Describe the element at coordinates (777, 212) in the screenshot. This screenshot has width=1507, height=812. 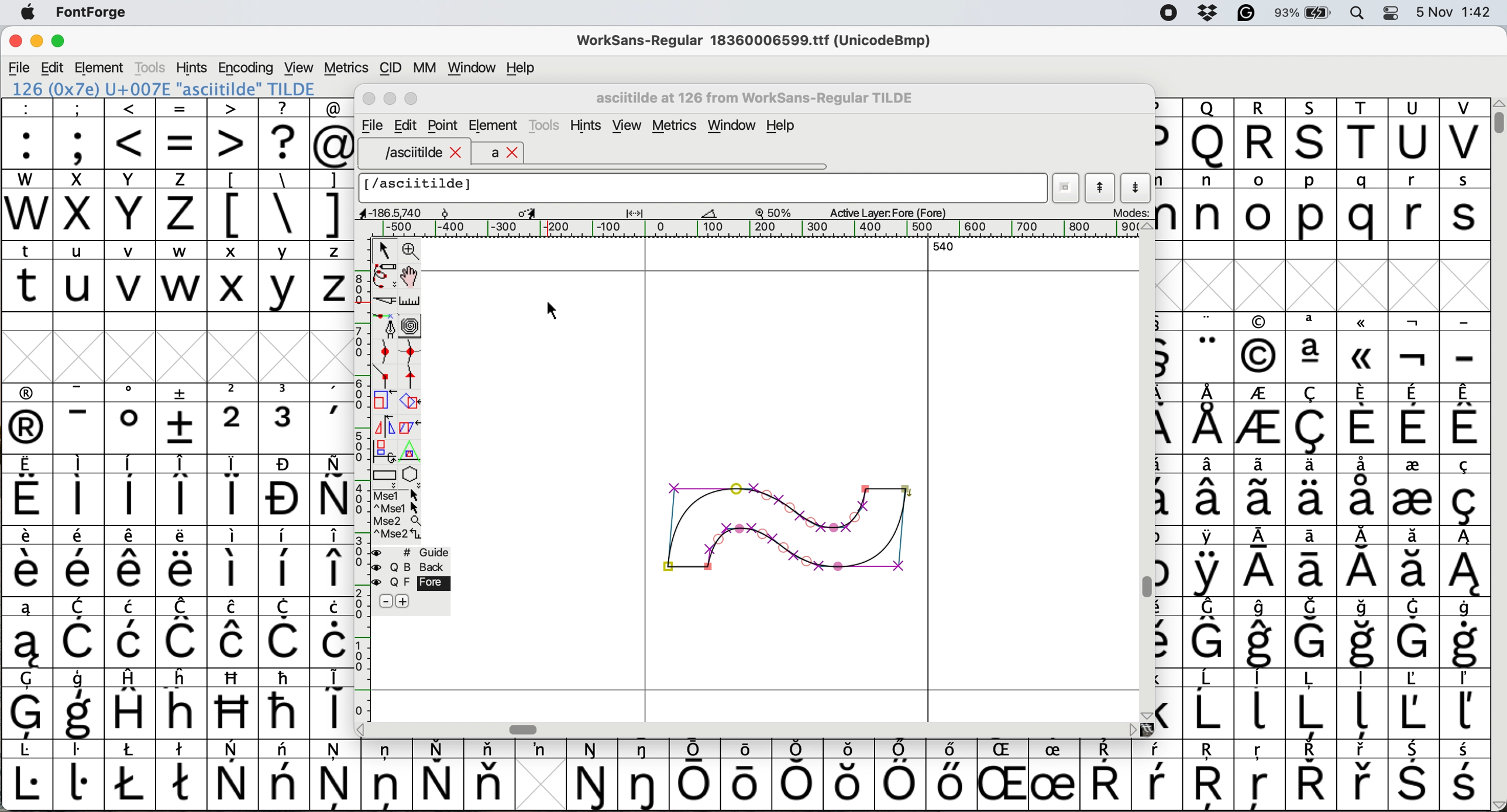
I see `zoom scale` at that location.